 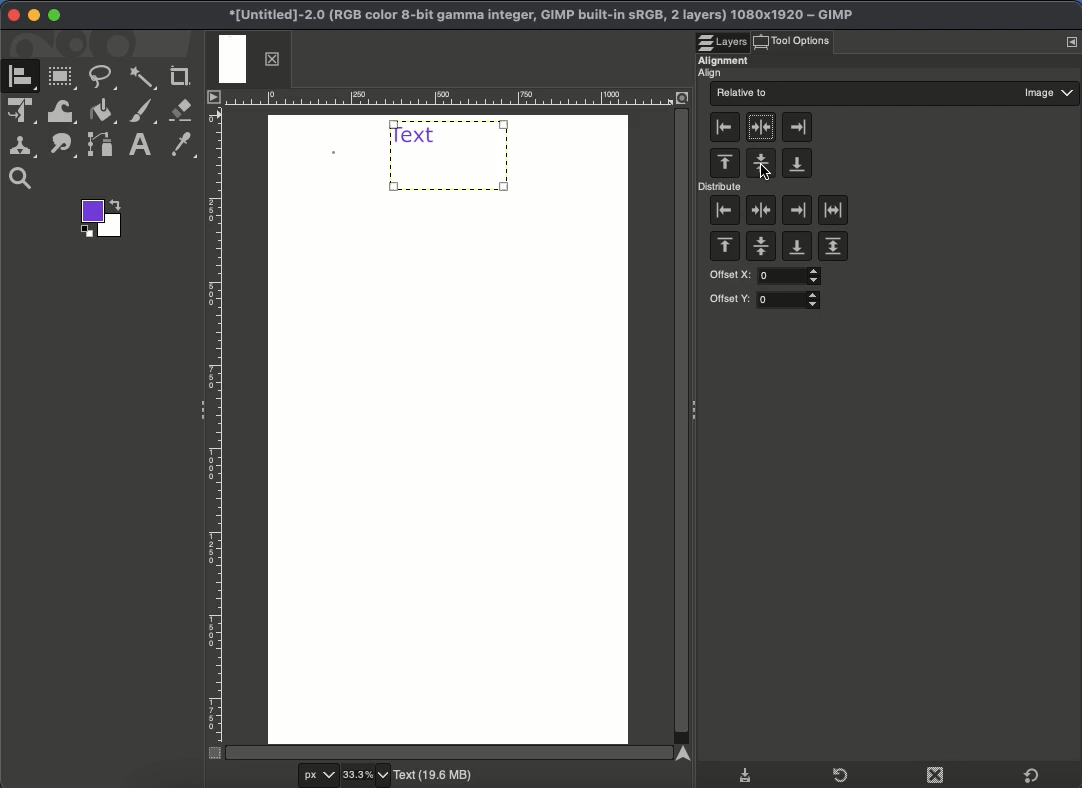 What do you see at coordinates (143, 113) in the screenshot?
I see `Brush` at bounding box center [143, 113].